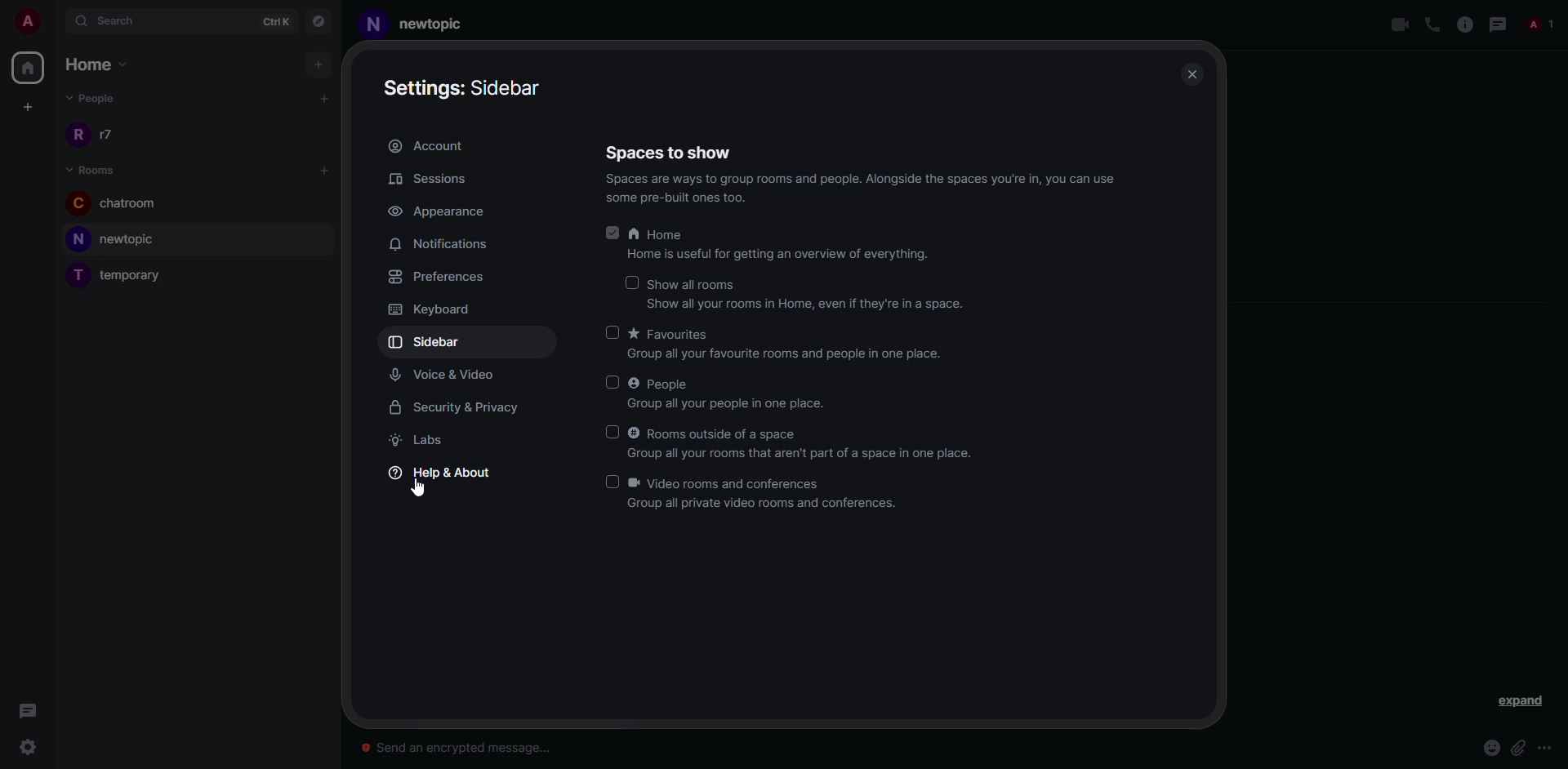 Image resolution: width=1568 pixels, height=769 pixels. I want to click on ctrlK, so click(276, 21).